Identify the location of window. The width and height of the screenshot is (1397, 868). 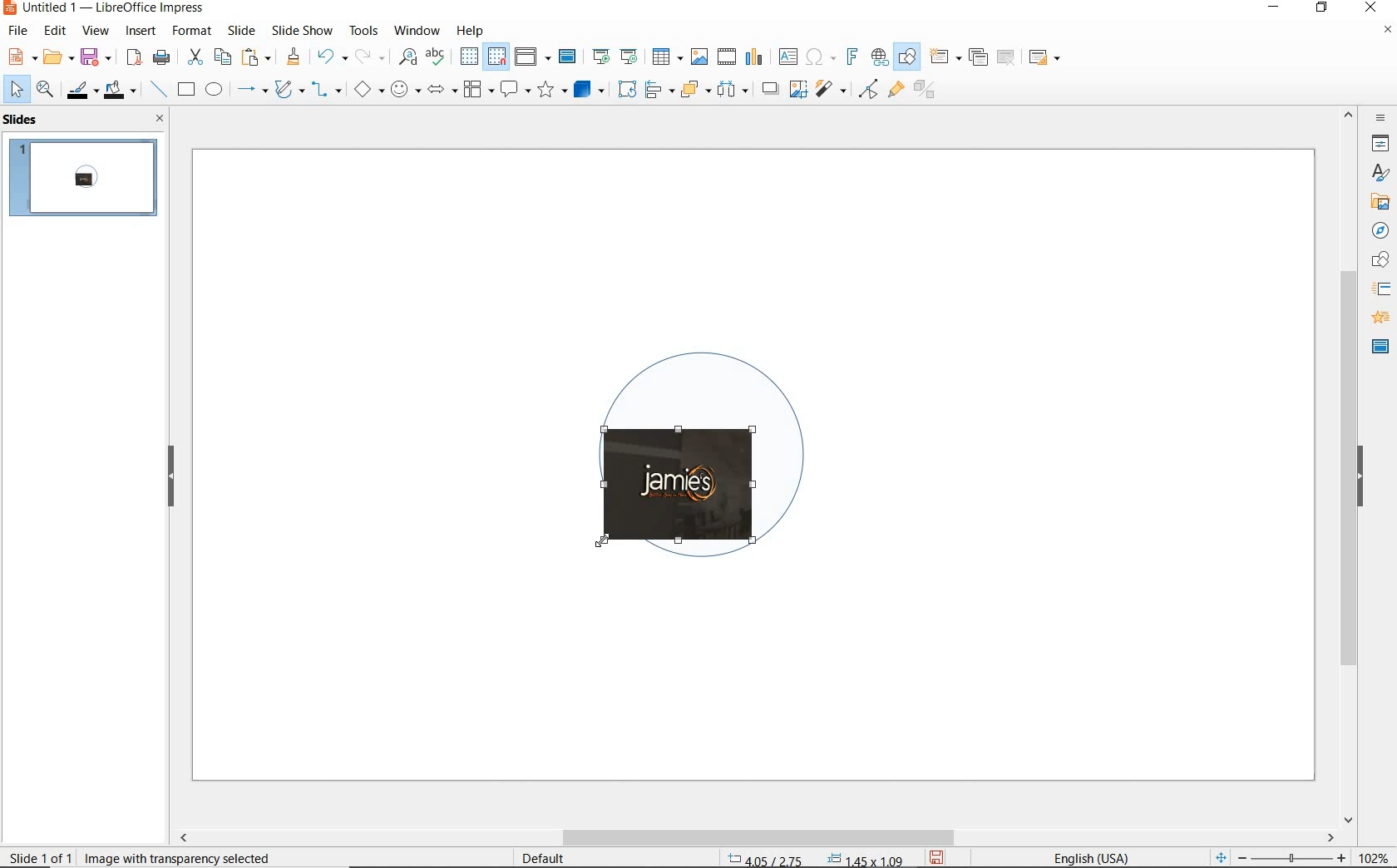
(417, 29).